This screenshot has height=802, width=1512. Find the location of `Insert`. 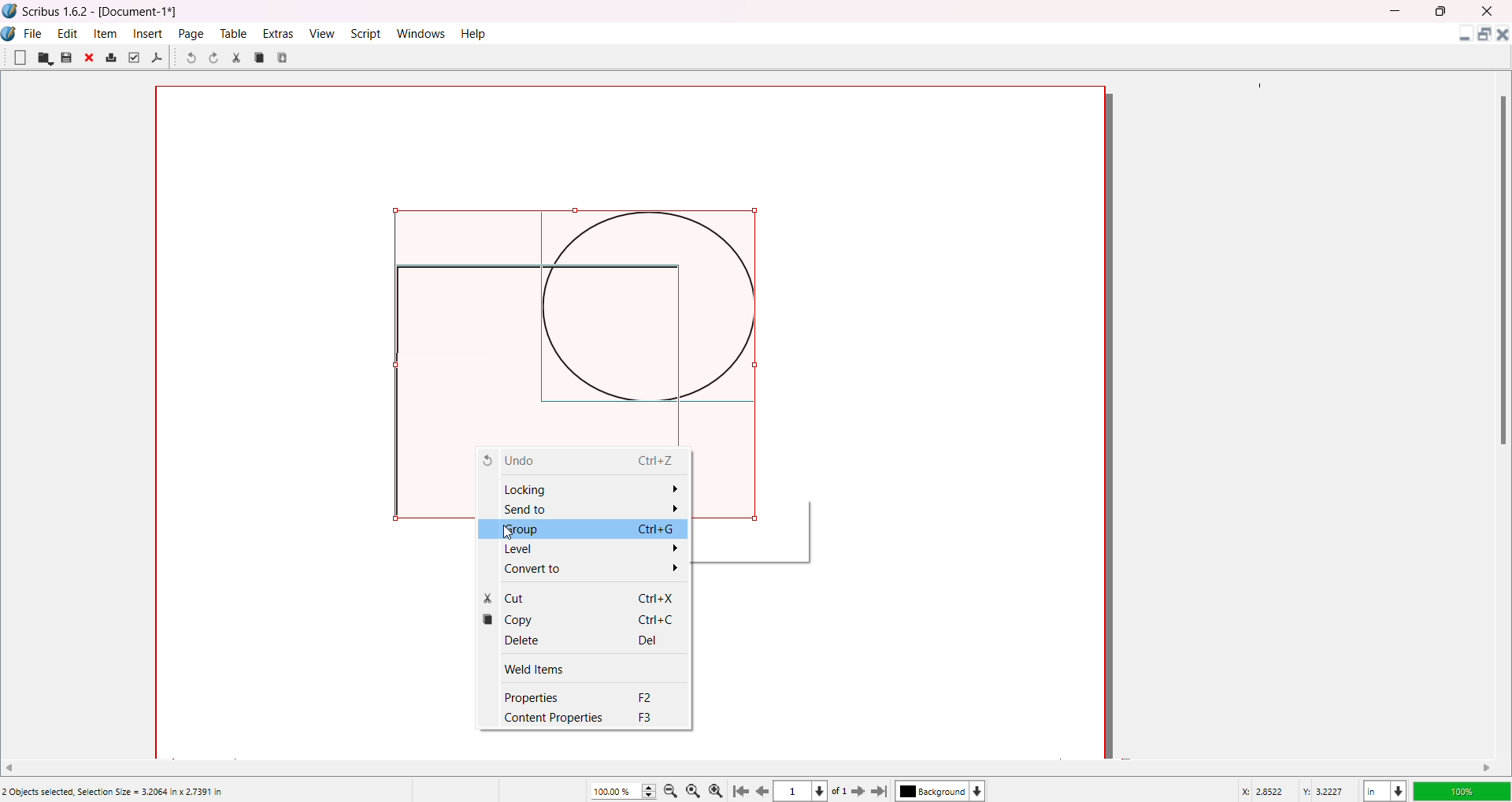

Insert is located at coordinates (150, 33).